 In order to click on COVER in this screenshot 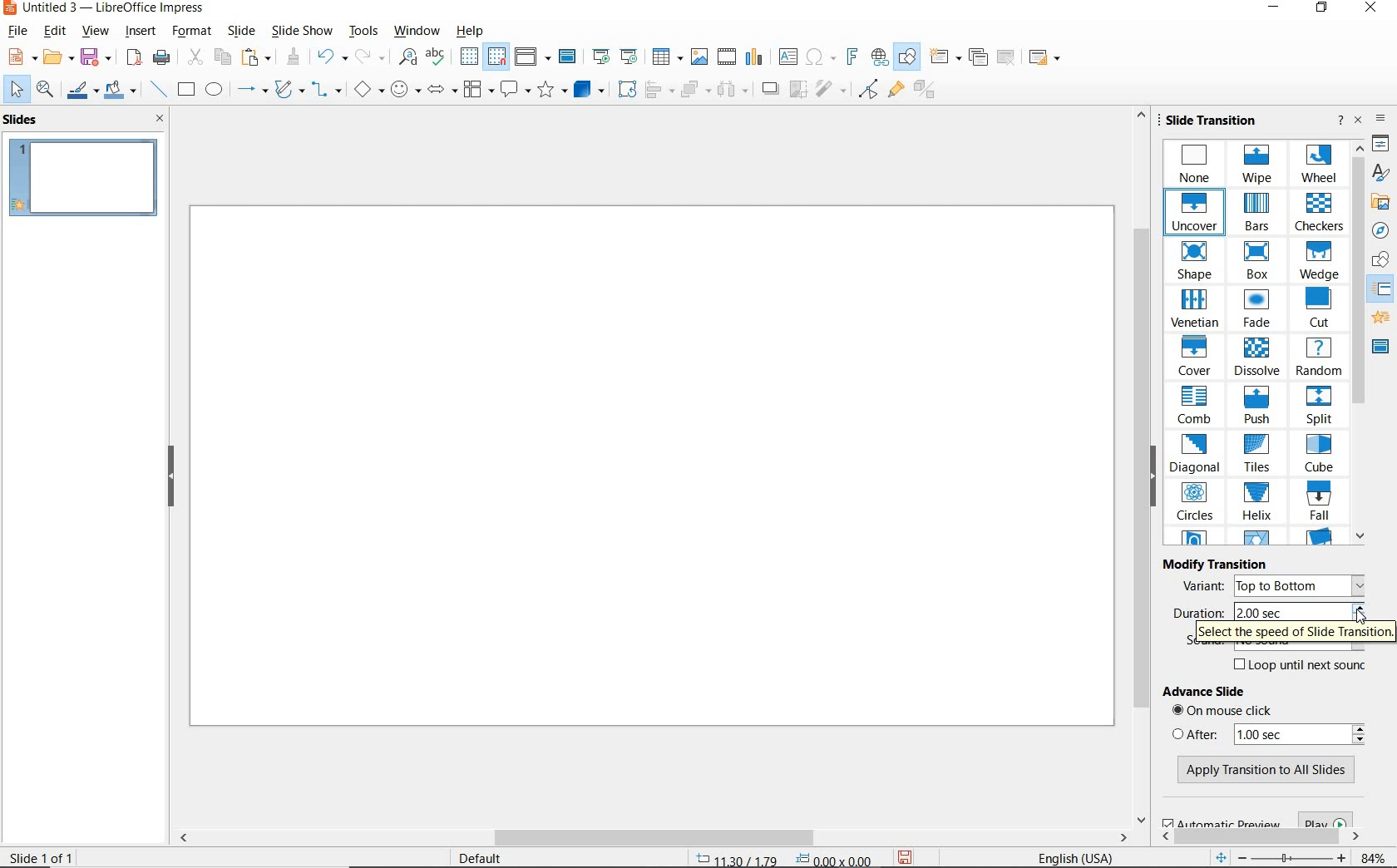, I will do `click(1197, 358)`.